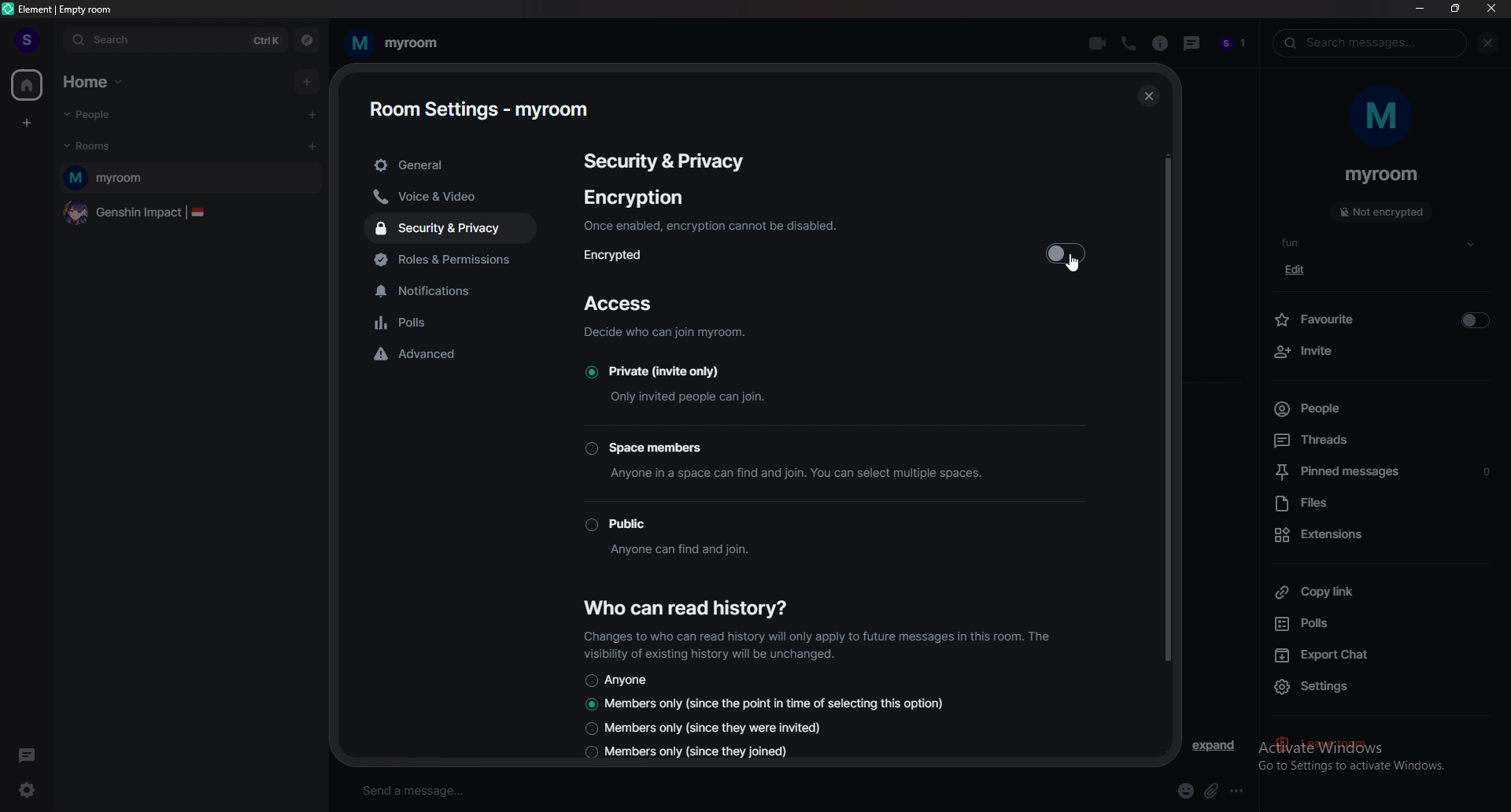  What do you see at coordinates (464, 262) in the screenshot?
I see `roles and permissions` at bounding box center [464, 262].